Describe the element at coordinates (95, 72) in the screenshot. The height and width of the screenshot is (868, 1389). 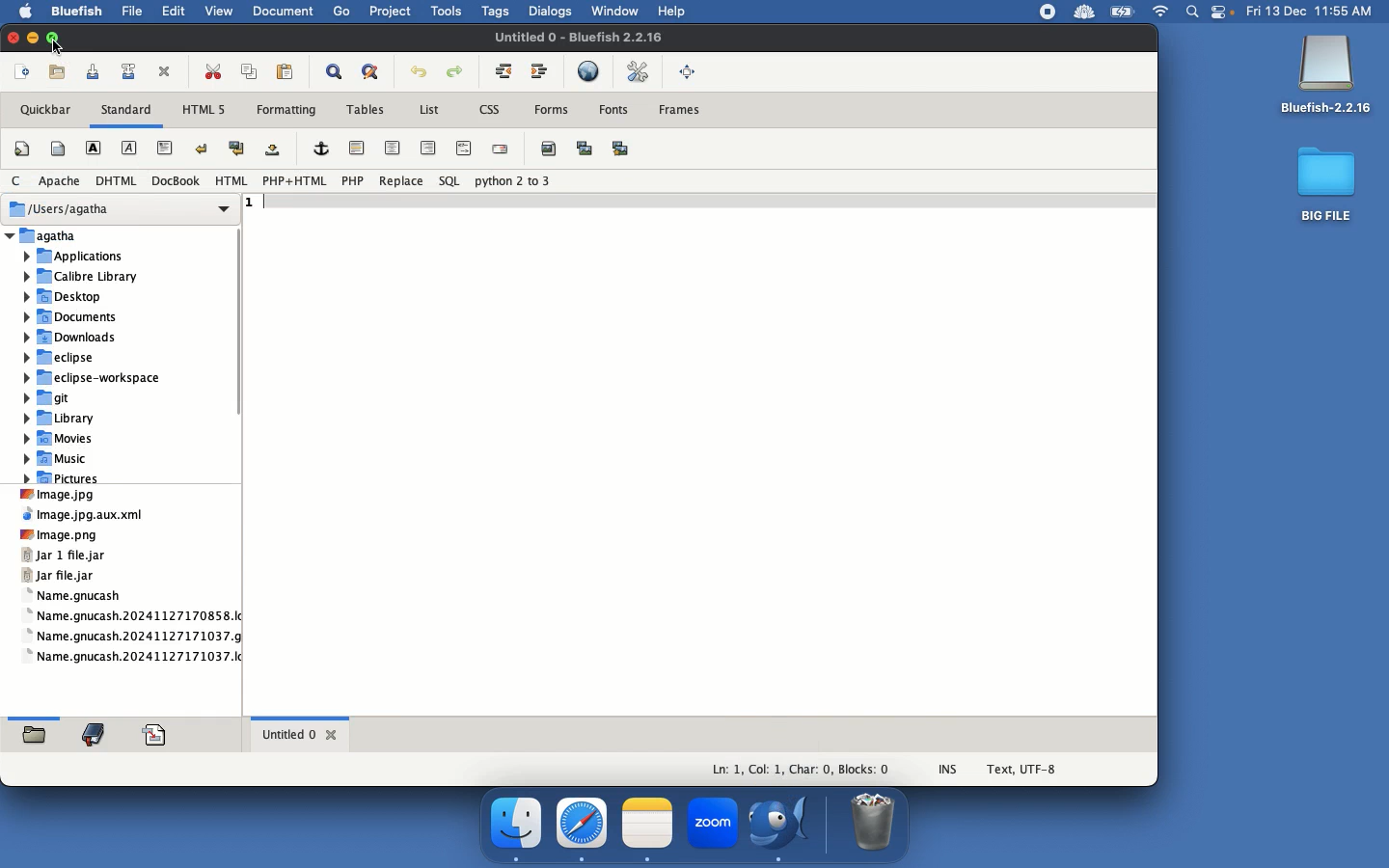
I see `Save current file` at that location.